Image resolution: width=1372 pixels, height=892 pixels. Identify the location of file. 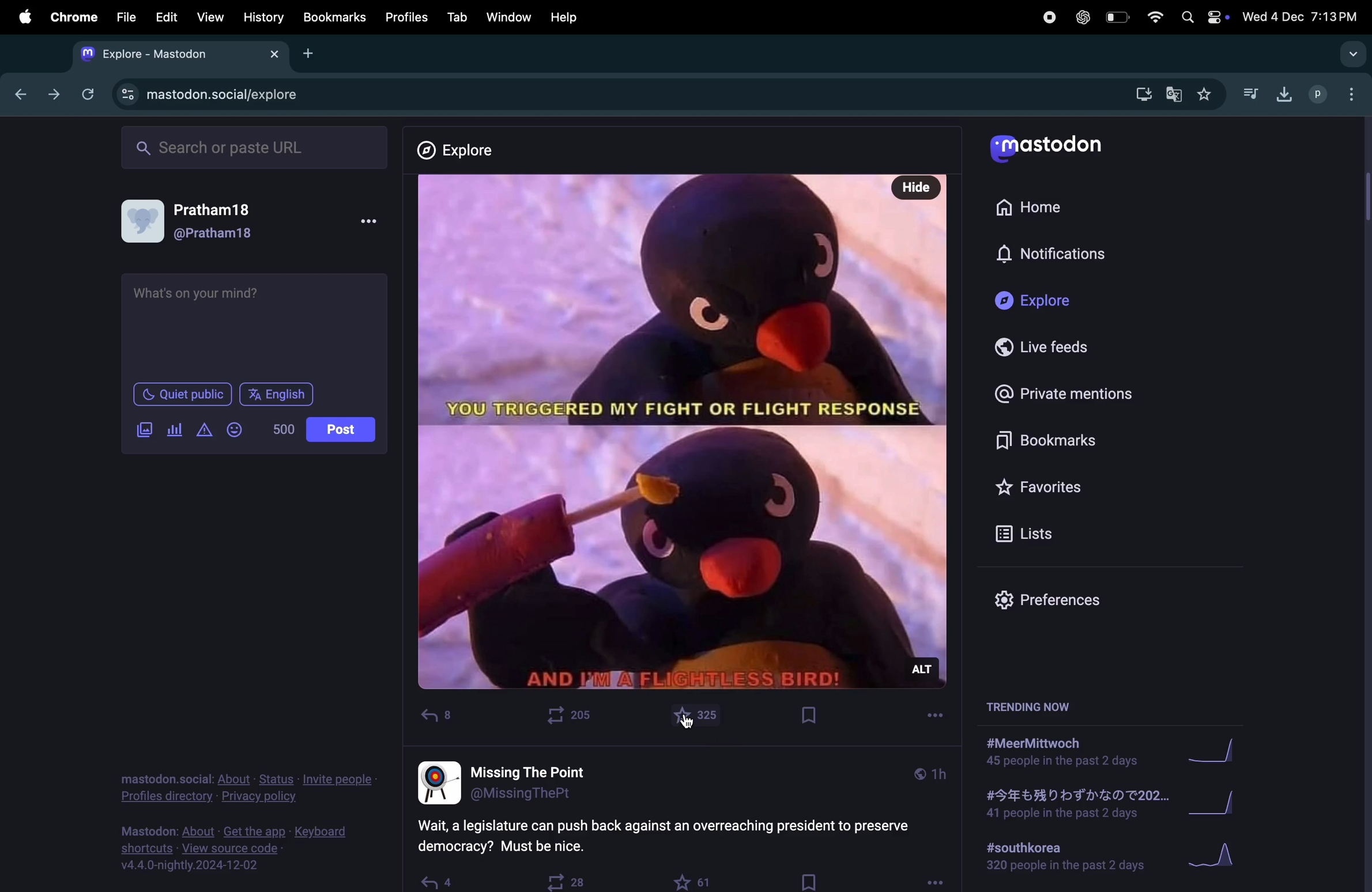
(124, 18).